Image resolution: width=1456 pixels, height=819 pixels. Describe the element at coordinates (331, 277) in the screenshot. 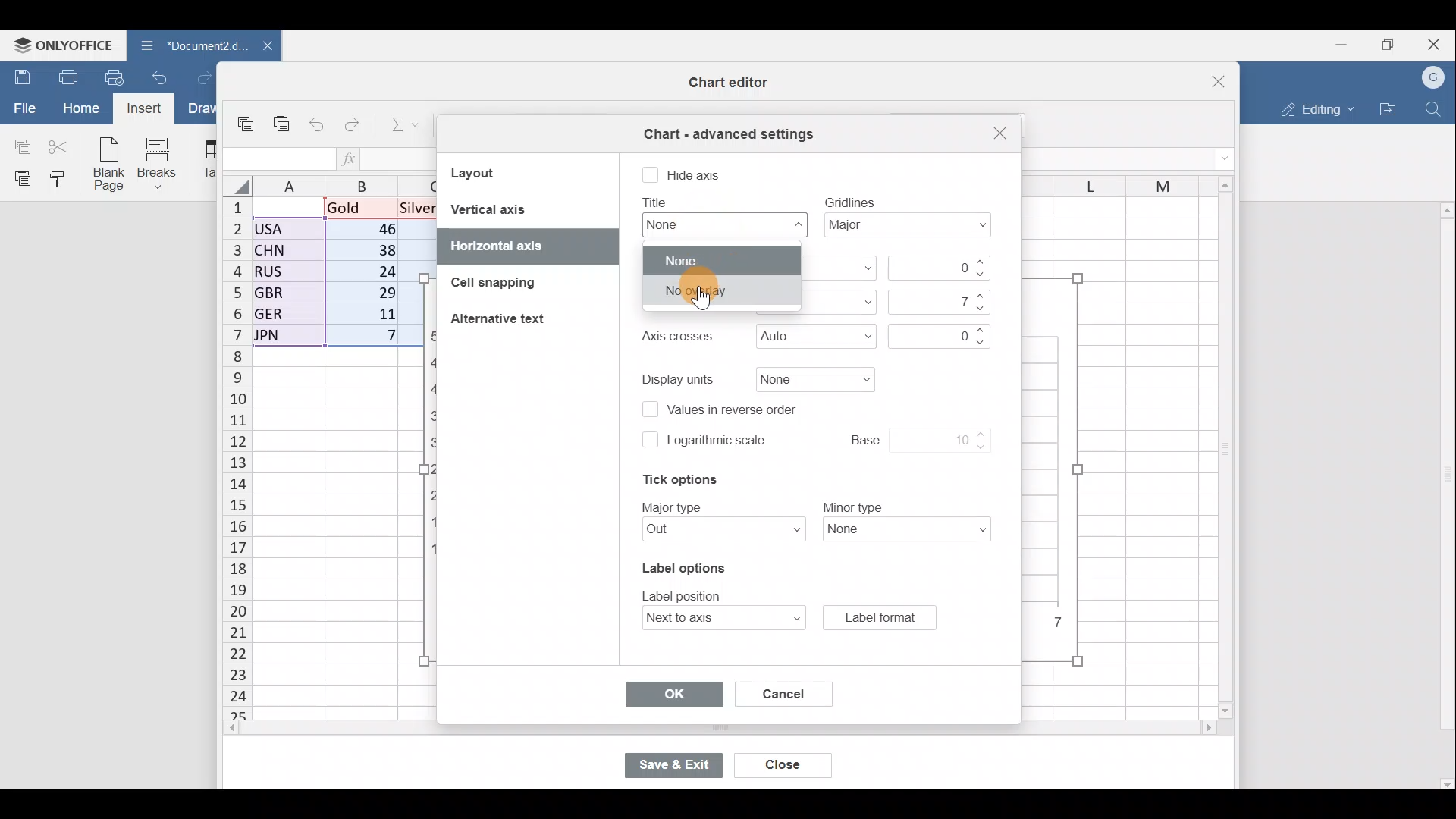

I see `Data` at that location.